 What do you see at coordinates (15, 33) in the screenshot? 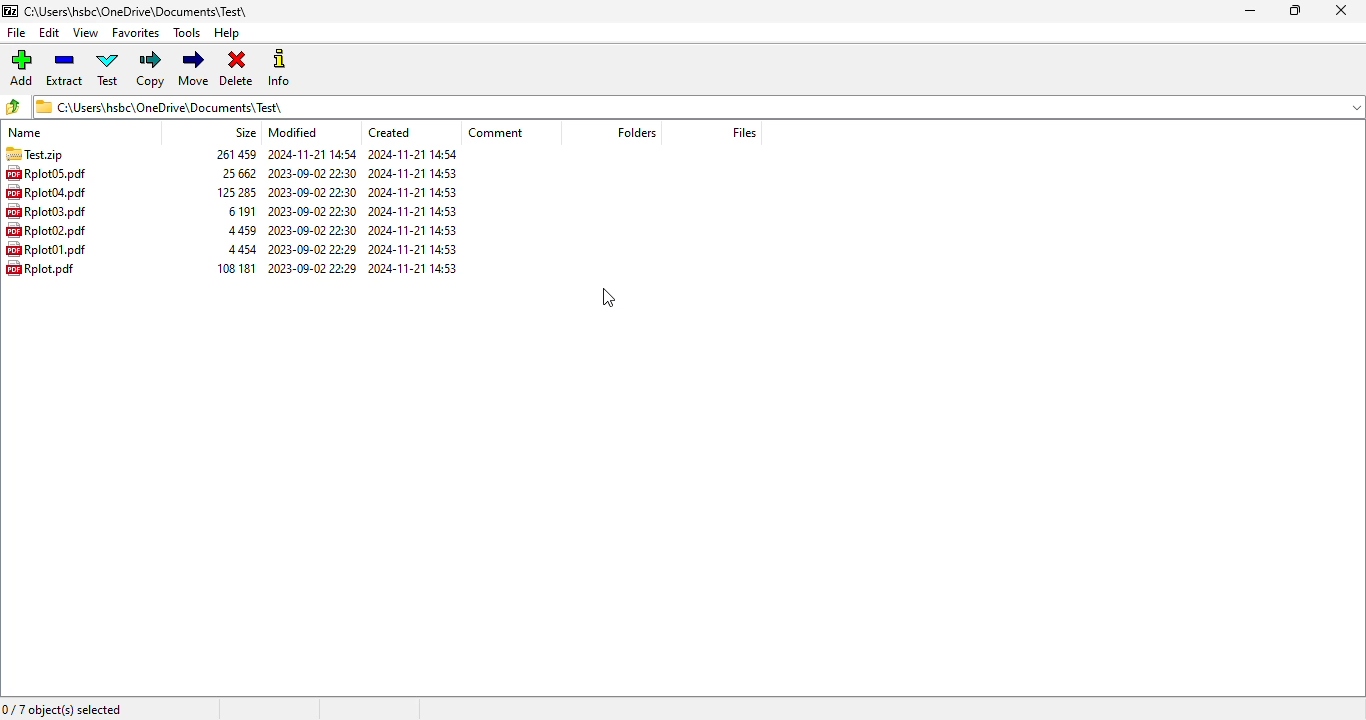
I see `file` at bounding box center [15, 33].